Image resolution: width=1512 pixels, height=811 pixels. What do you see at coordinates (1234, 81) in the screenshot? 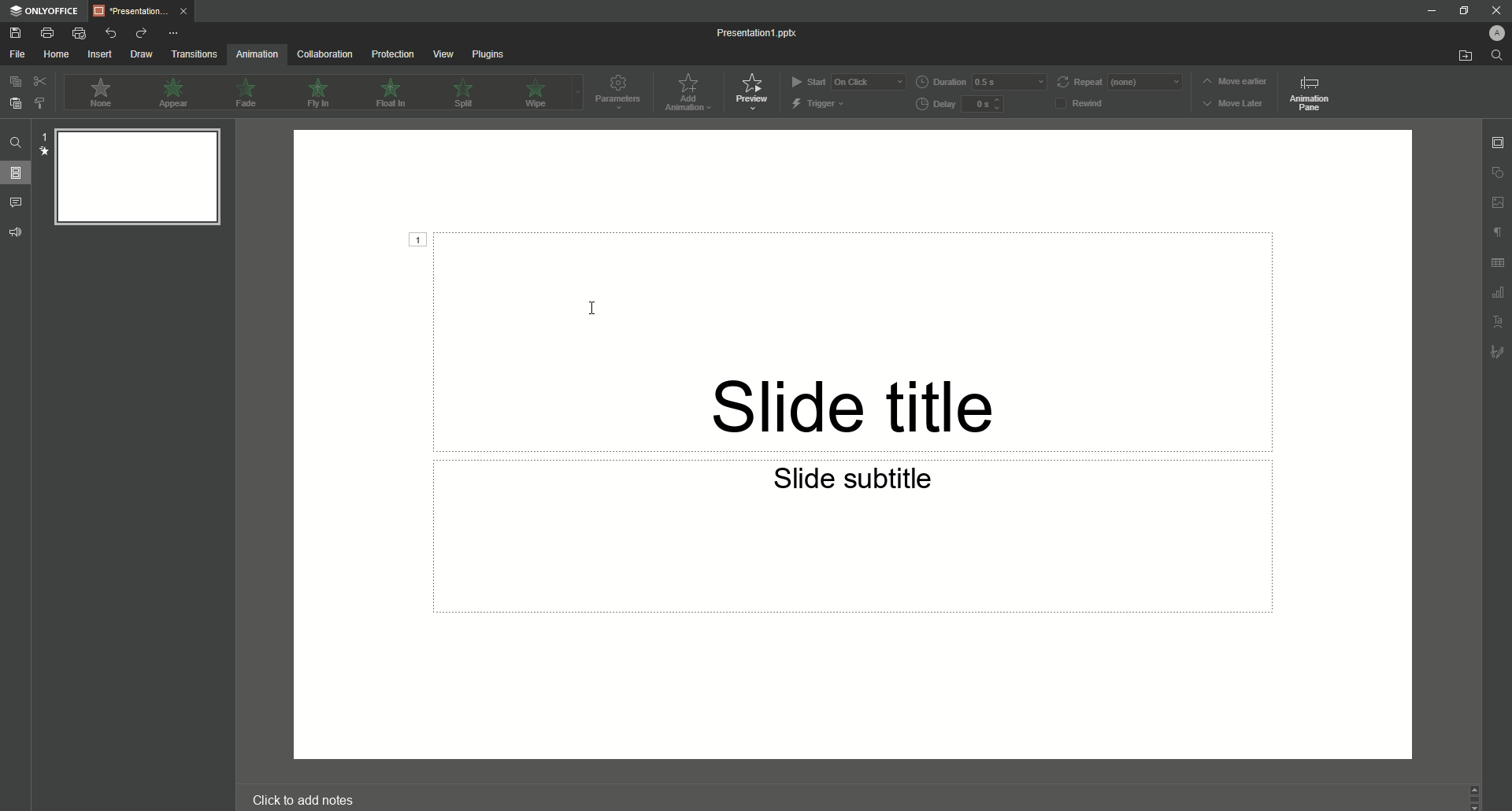
I see `Move earlier` at bounding box center [1234, 81].